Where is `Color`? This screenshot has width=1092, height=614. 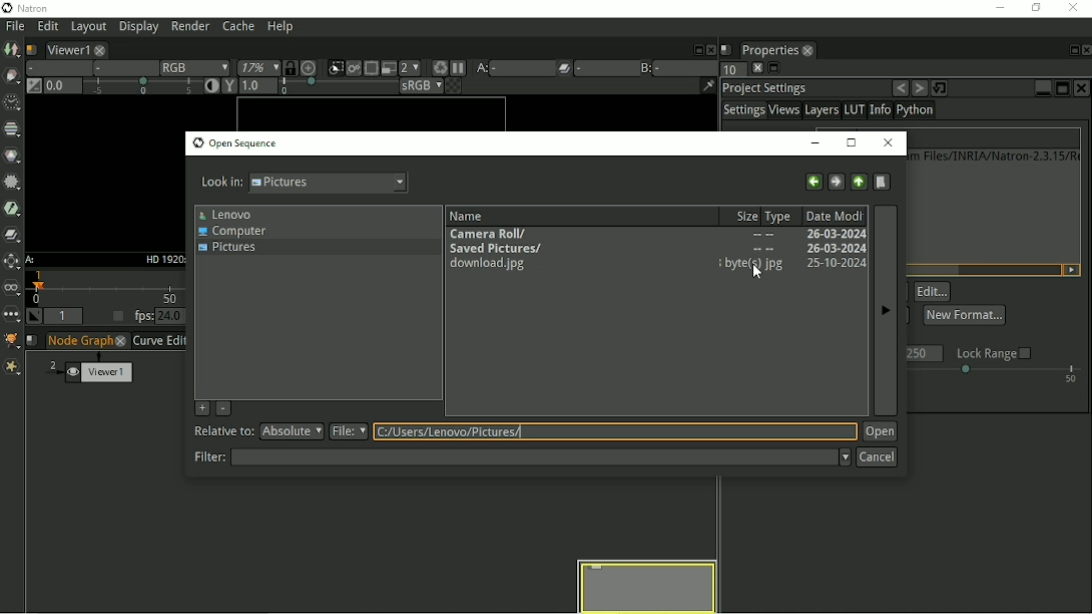
Color is located at coordinates (13, 156).